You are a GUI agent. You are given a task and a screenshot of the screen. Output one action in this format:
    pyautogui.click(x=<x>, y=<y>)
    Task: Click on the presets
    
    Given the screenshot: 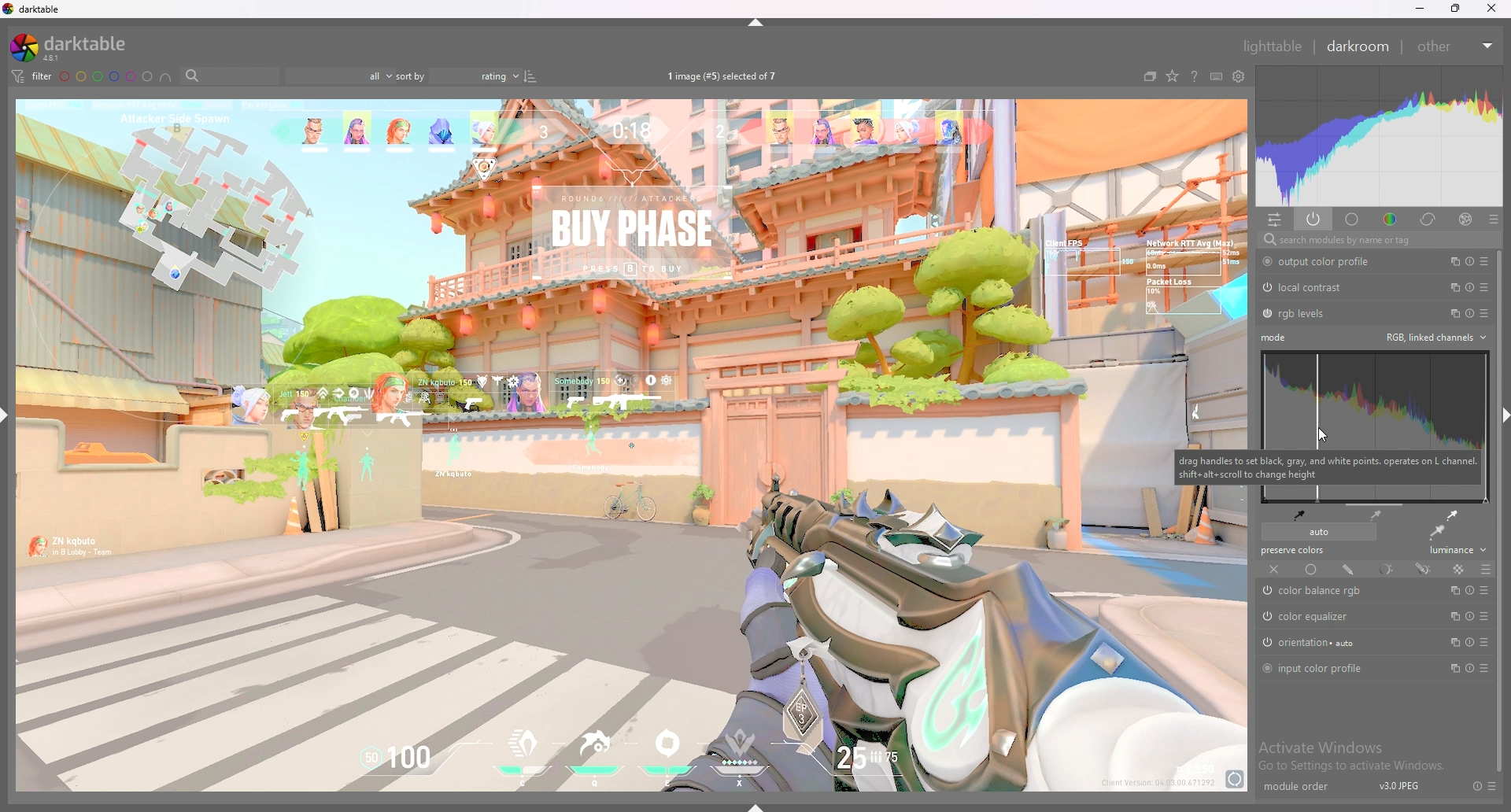 What is the action you would take?
    pyautogui.click(x=1485, y=286)
    